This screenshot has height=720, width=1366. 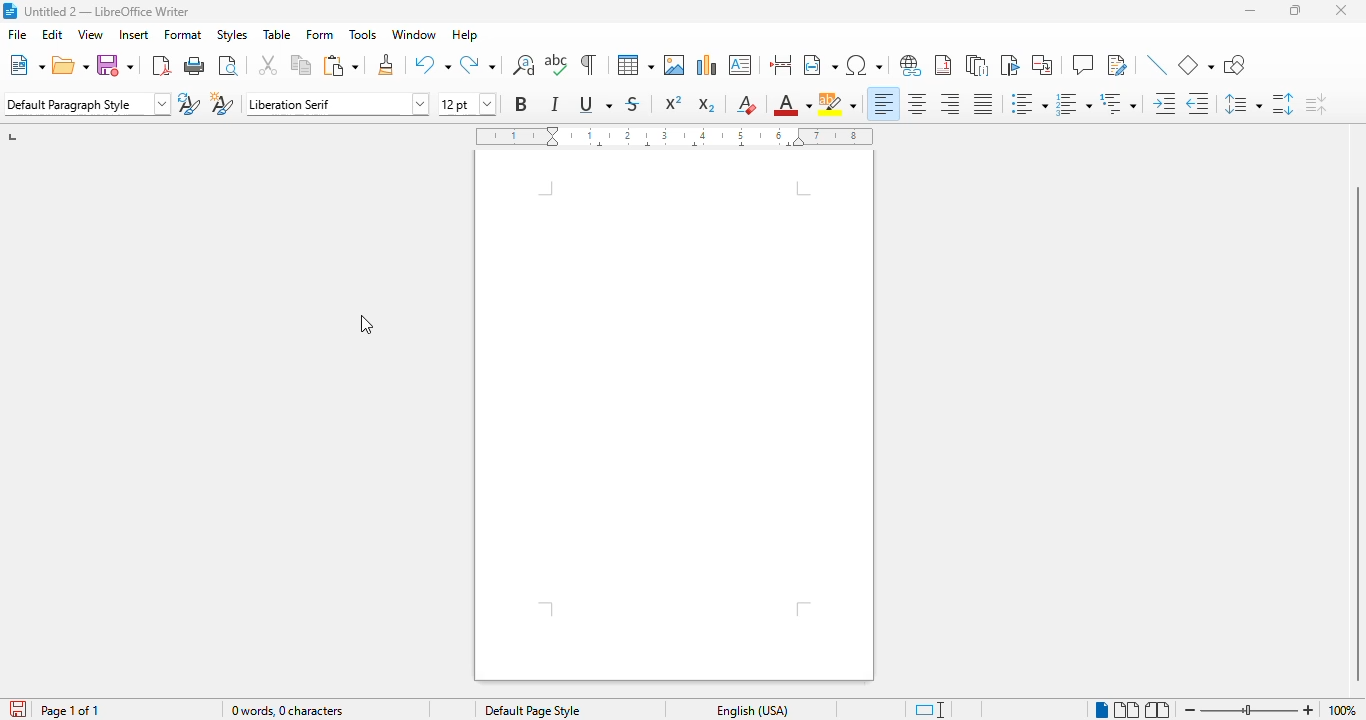 I want to click on show draw functions, so click(x=1235, y=65).